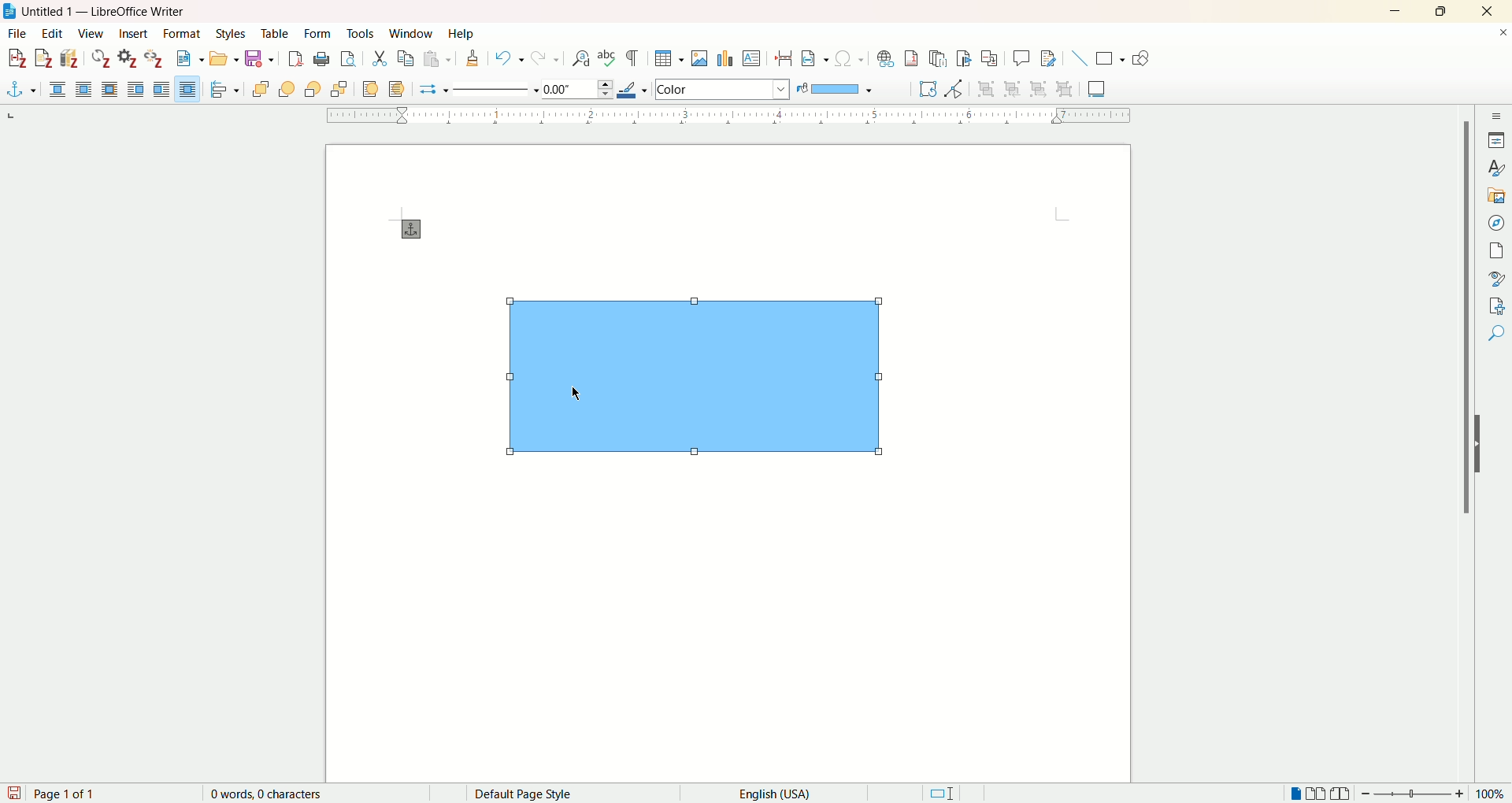 Image resolution: width=1512 pixels, height=803 pixels. Describe the element at coordinates (1495, 278) in the screenshot. I see `style inspector` at that location.